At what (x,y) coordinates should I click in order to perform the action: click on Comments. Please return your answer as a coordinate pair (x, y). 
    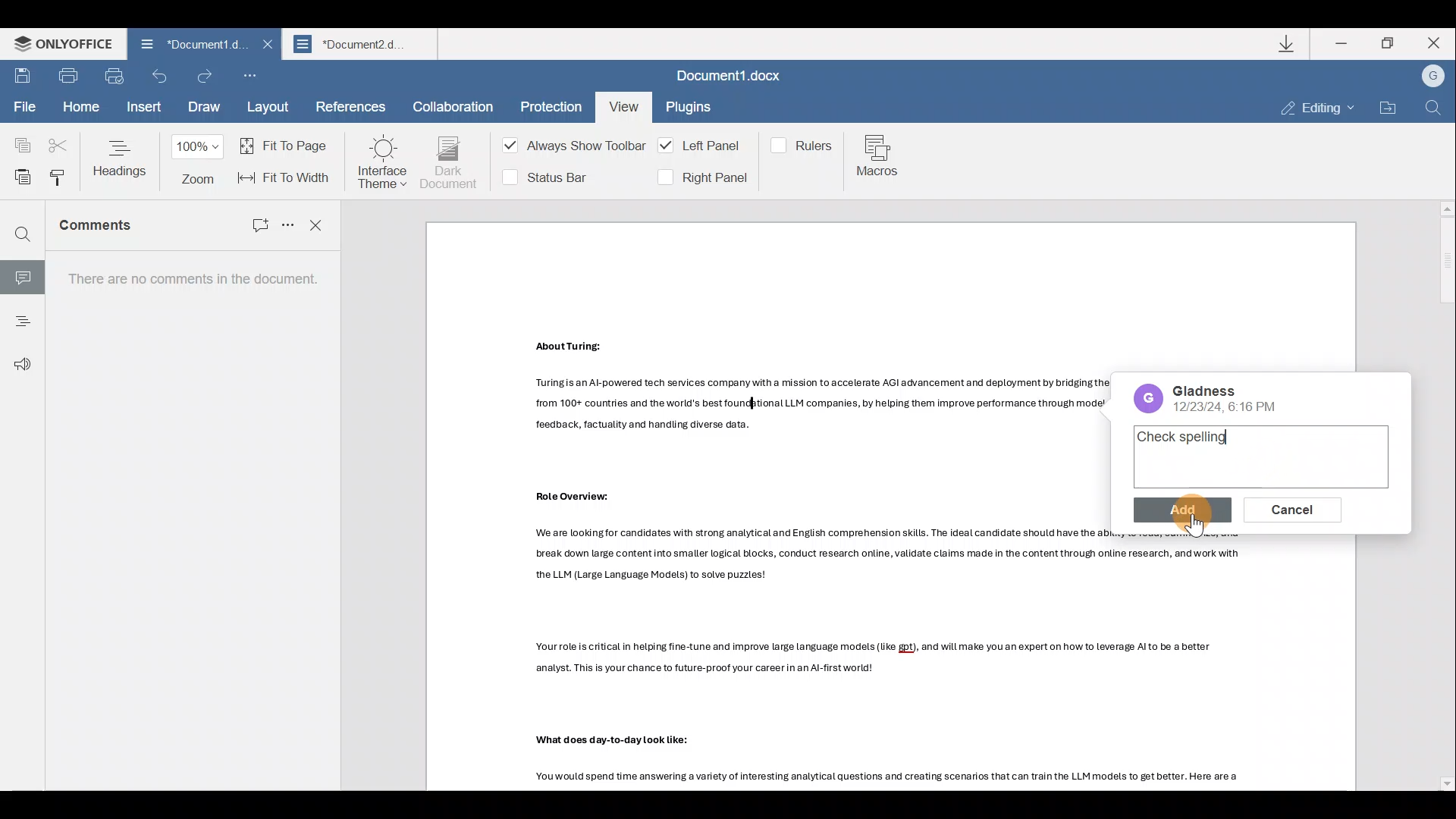
    Looking at the image, I should click on (115, 231).